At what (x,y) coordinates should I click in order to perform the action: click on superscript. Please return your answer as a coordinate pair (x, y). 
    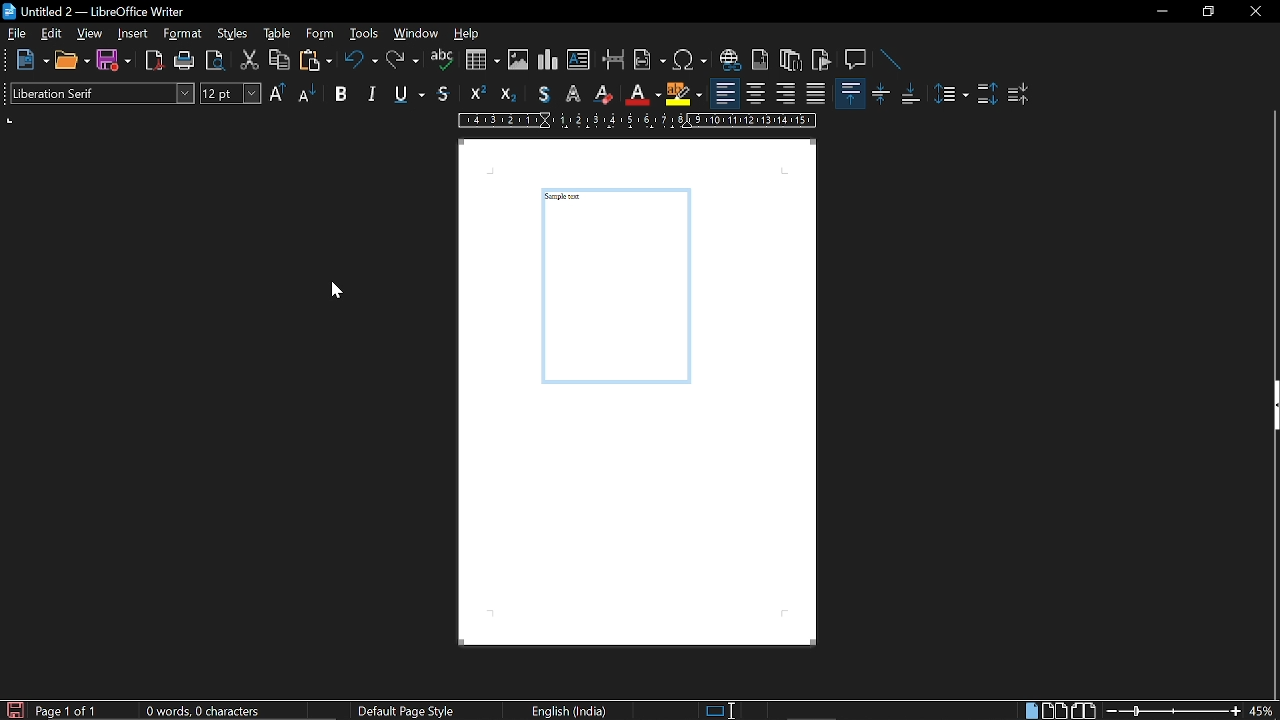
    Looking at the image, I should click on (481, 95).